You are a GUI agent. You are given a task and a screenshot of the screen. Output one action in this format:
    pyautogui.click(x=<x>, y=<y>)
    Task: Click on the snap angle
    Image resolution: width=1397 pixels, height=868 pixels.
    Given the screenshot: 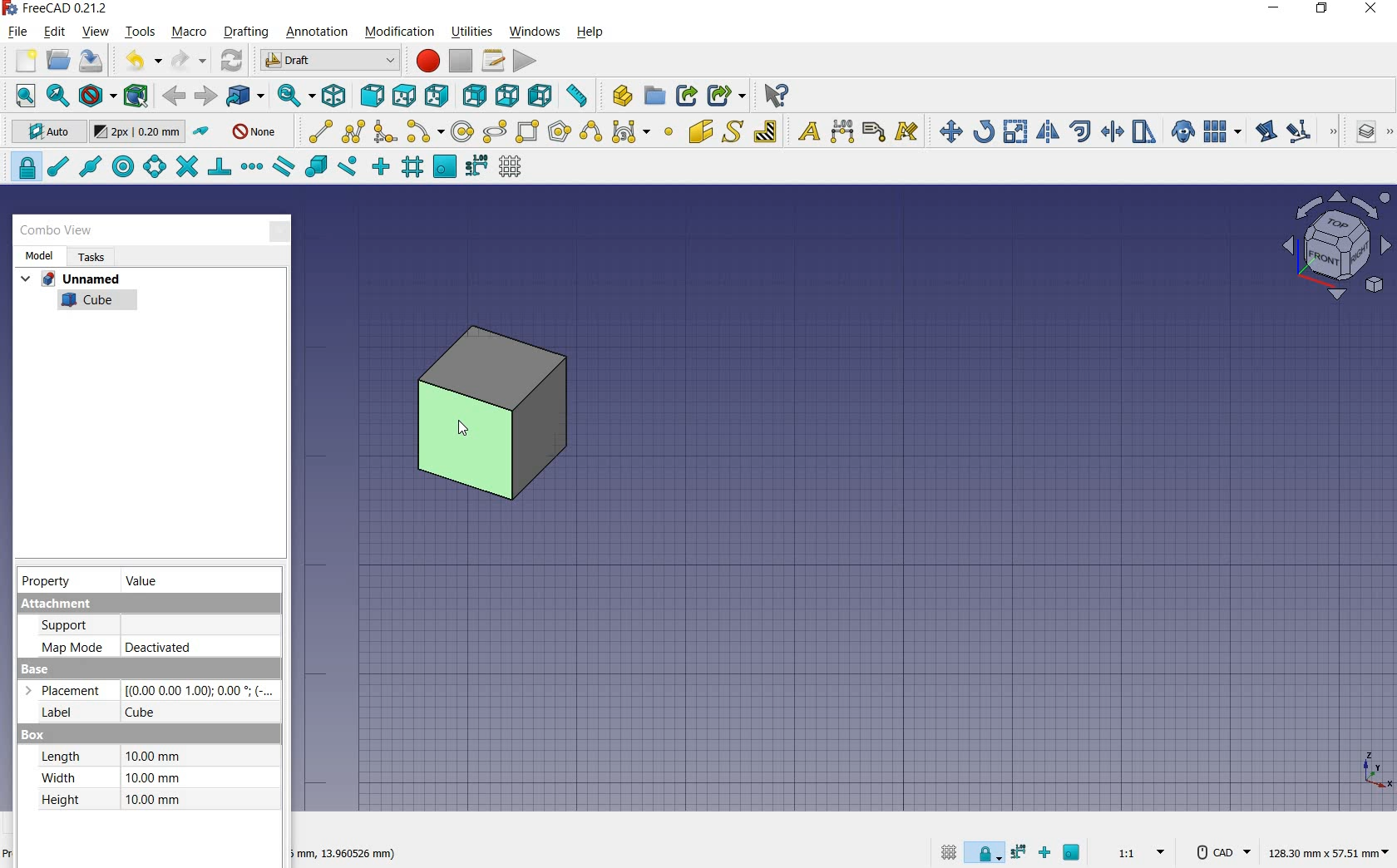 What is the action you would take?
    pyautogui.click(x=154, y=167)
    